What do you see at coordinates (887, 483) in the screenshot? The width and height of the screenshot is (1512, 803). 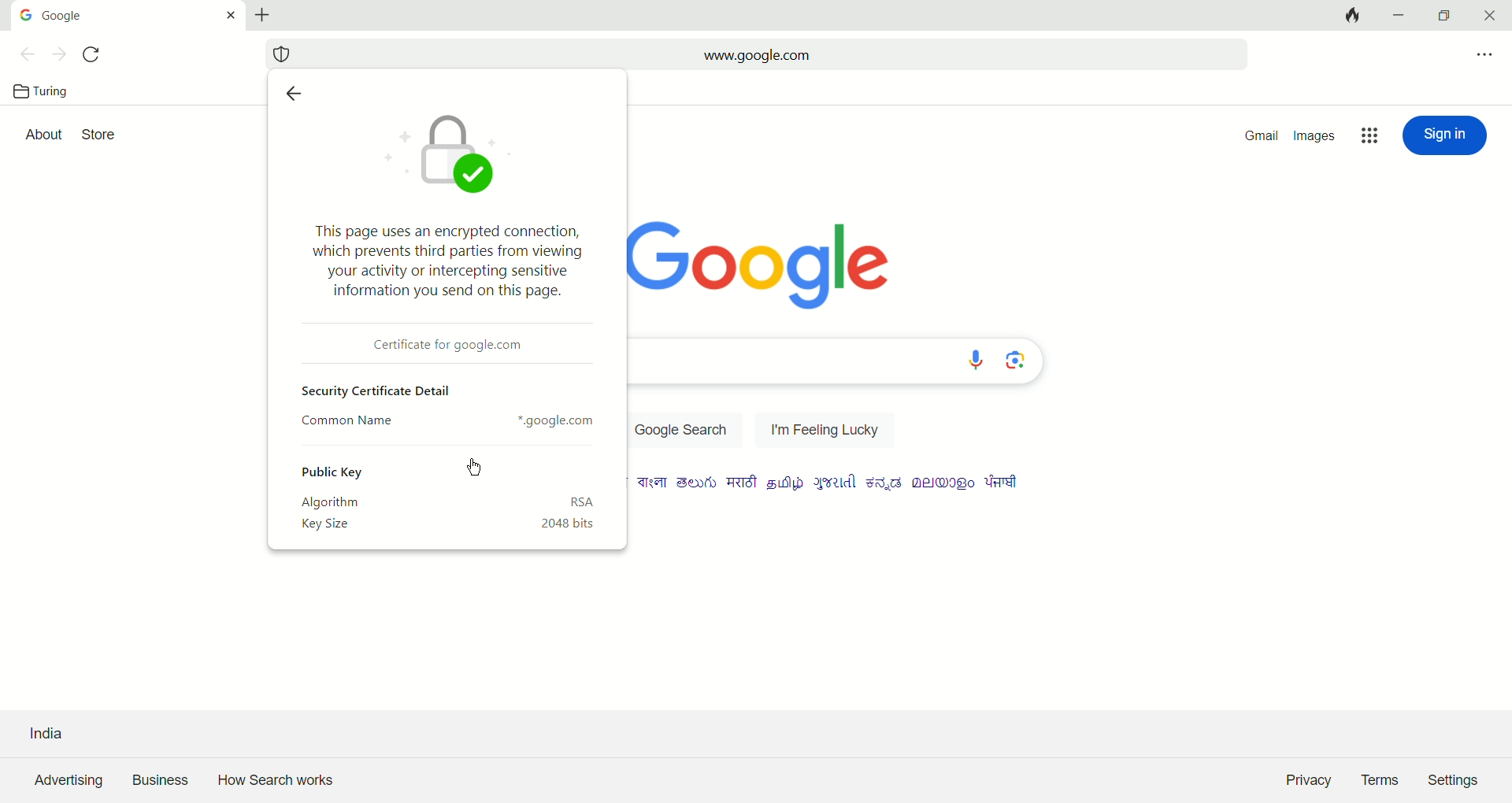 I see `language` at bounding box center [887, 483].